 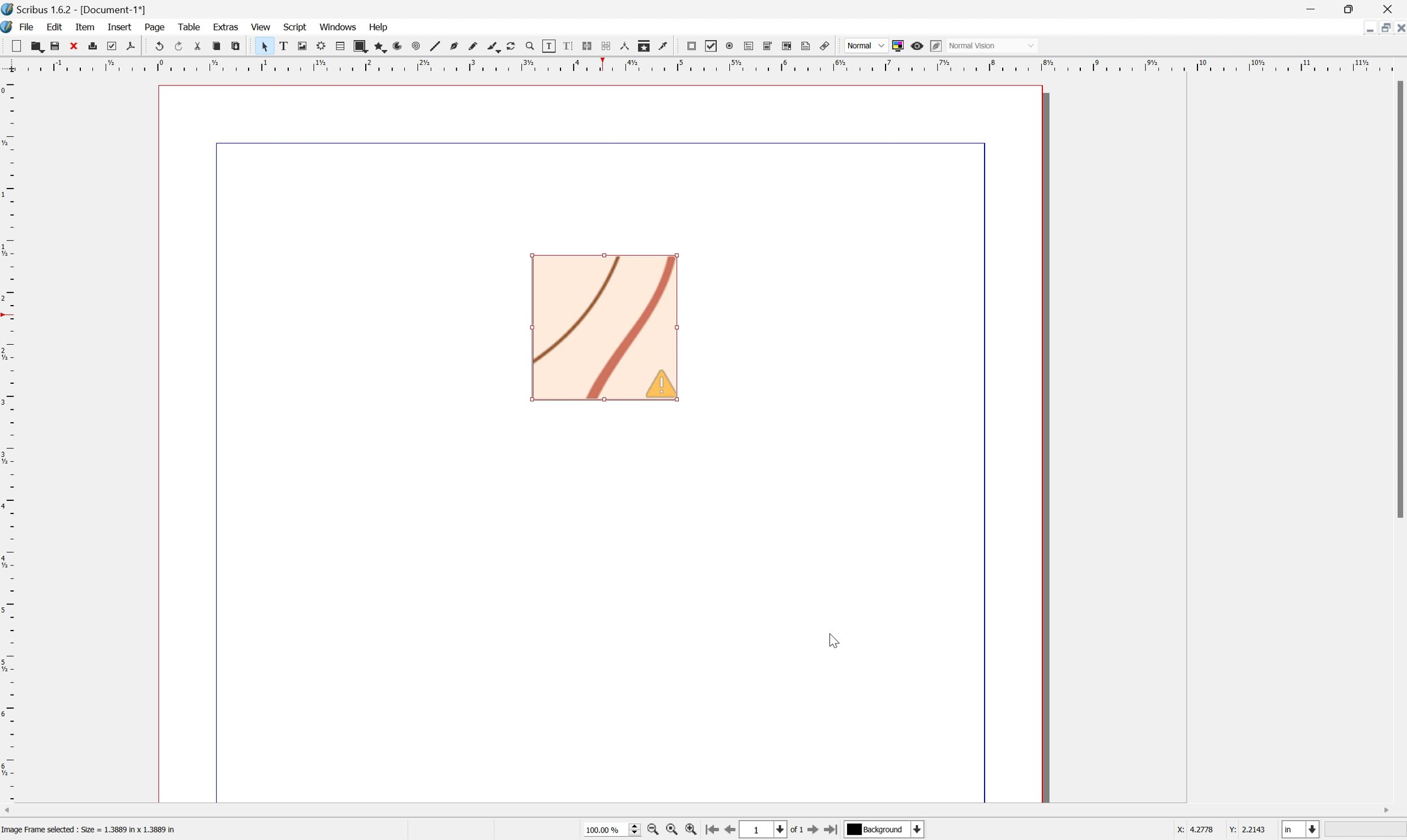 What do you see at coordinates (865, 46) in the screenshot?
I see `Normal` at bounding box center [865, 46].